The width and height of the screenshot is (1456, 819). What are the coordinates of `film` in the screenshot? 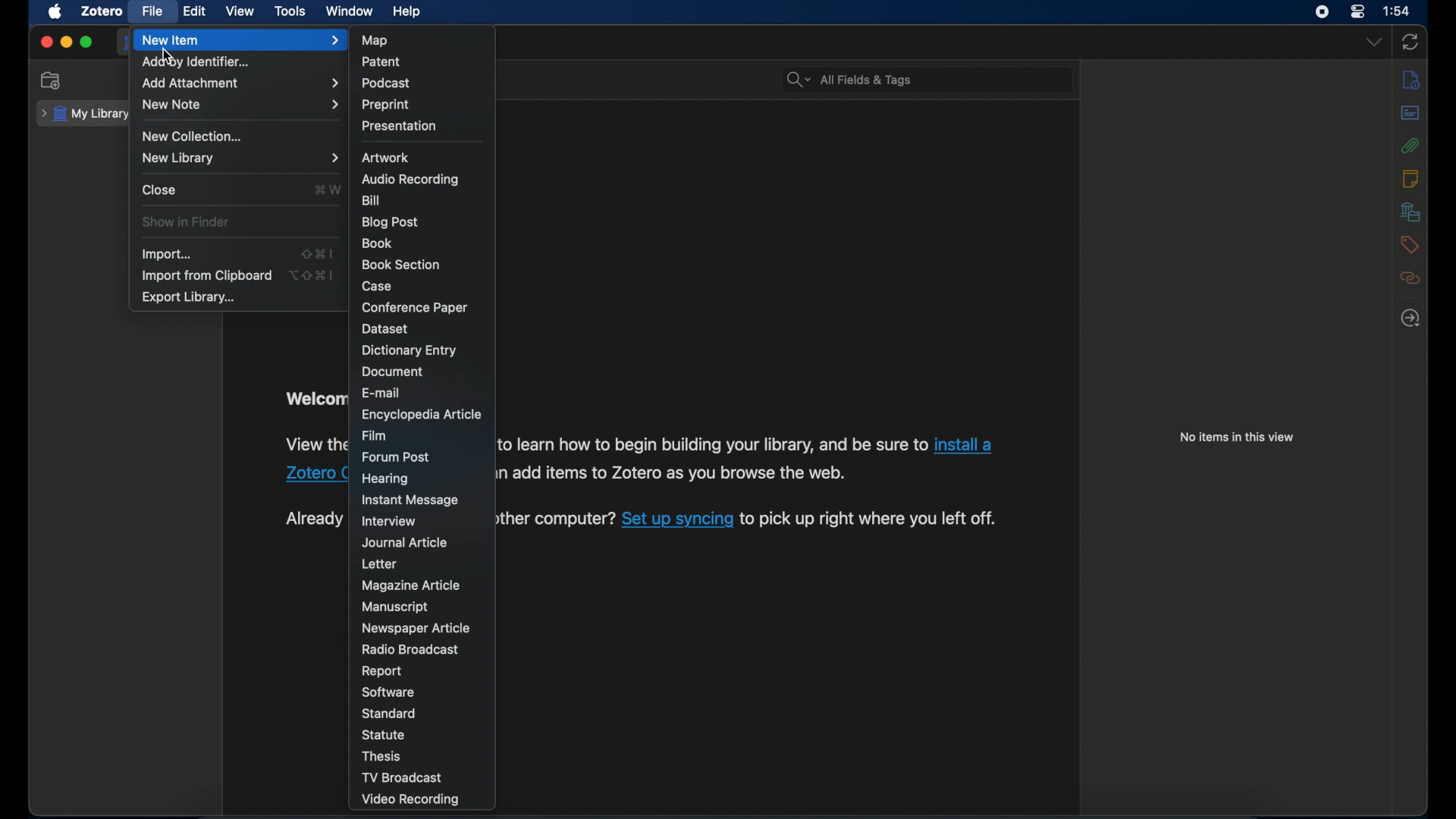 It's located at (373, 435).